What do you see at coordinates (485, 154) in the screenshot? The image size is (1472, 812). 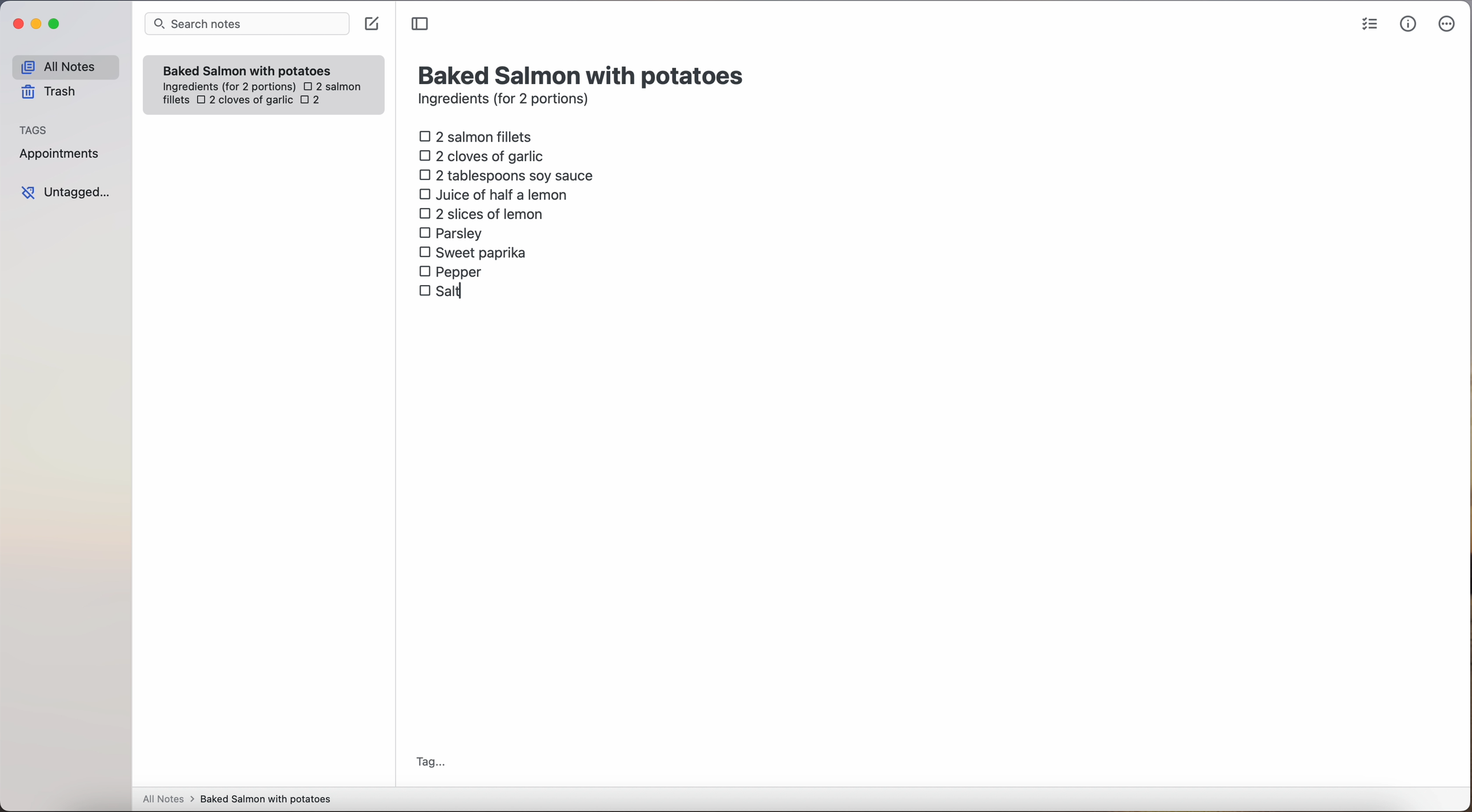 I see `2 cloves of garlic` at bounding box center [485, 154].